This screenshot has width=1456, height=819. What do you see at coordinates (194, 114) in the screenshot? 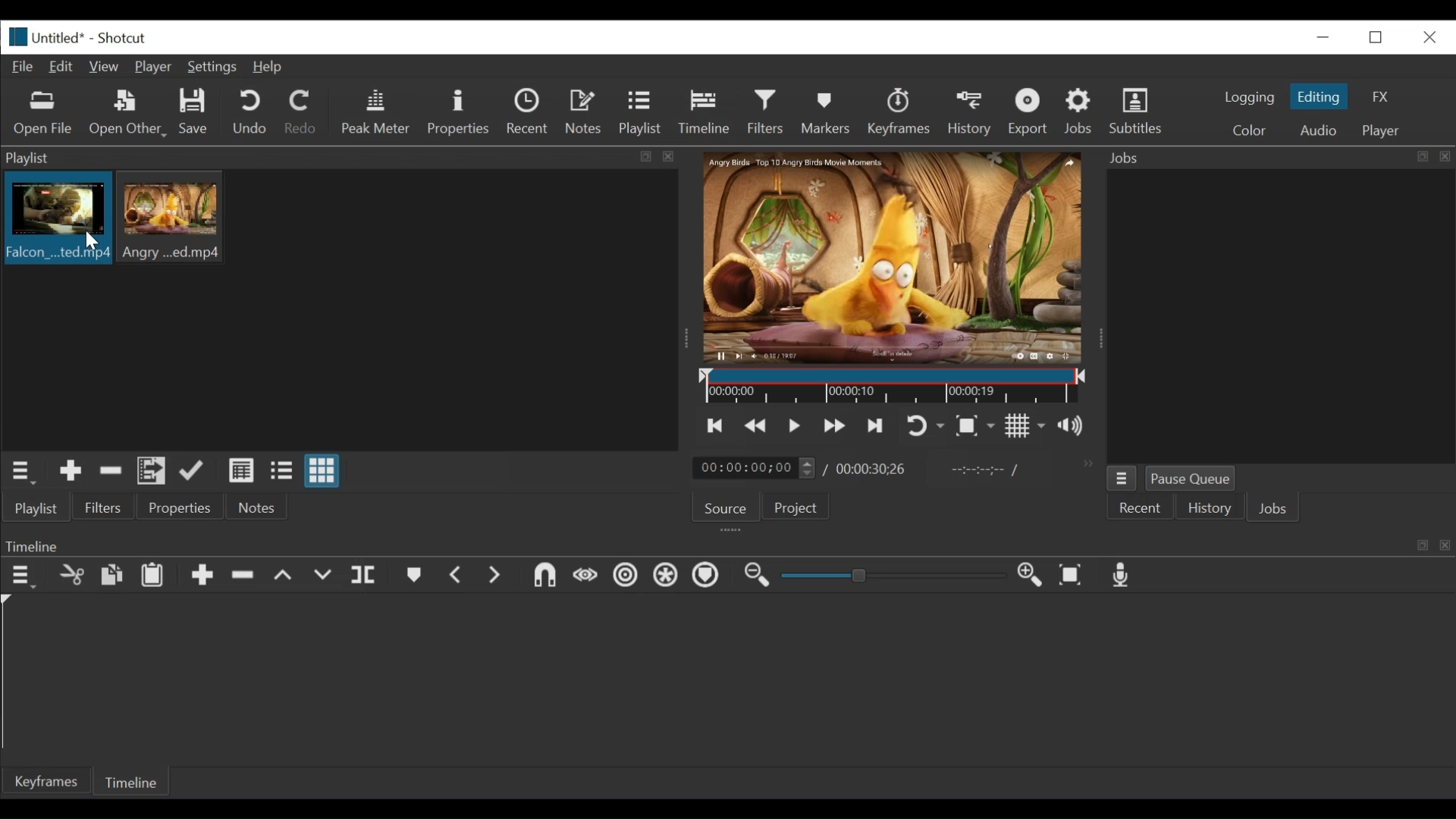
I see `Save` at bounding box center [194, 114].